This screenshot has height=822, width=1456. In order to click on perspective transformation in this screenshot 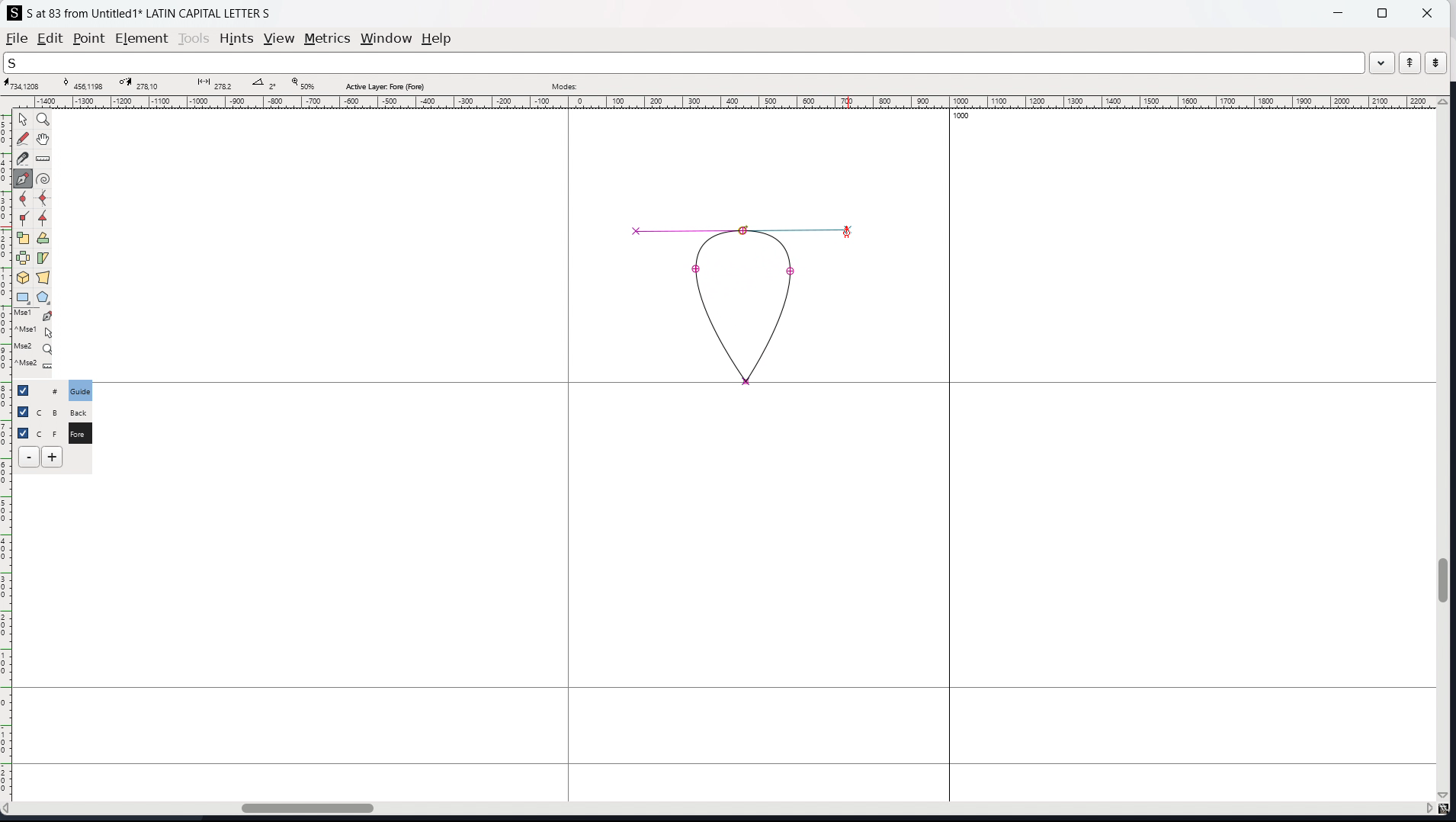, I will do `click(43, 278)`.